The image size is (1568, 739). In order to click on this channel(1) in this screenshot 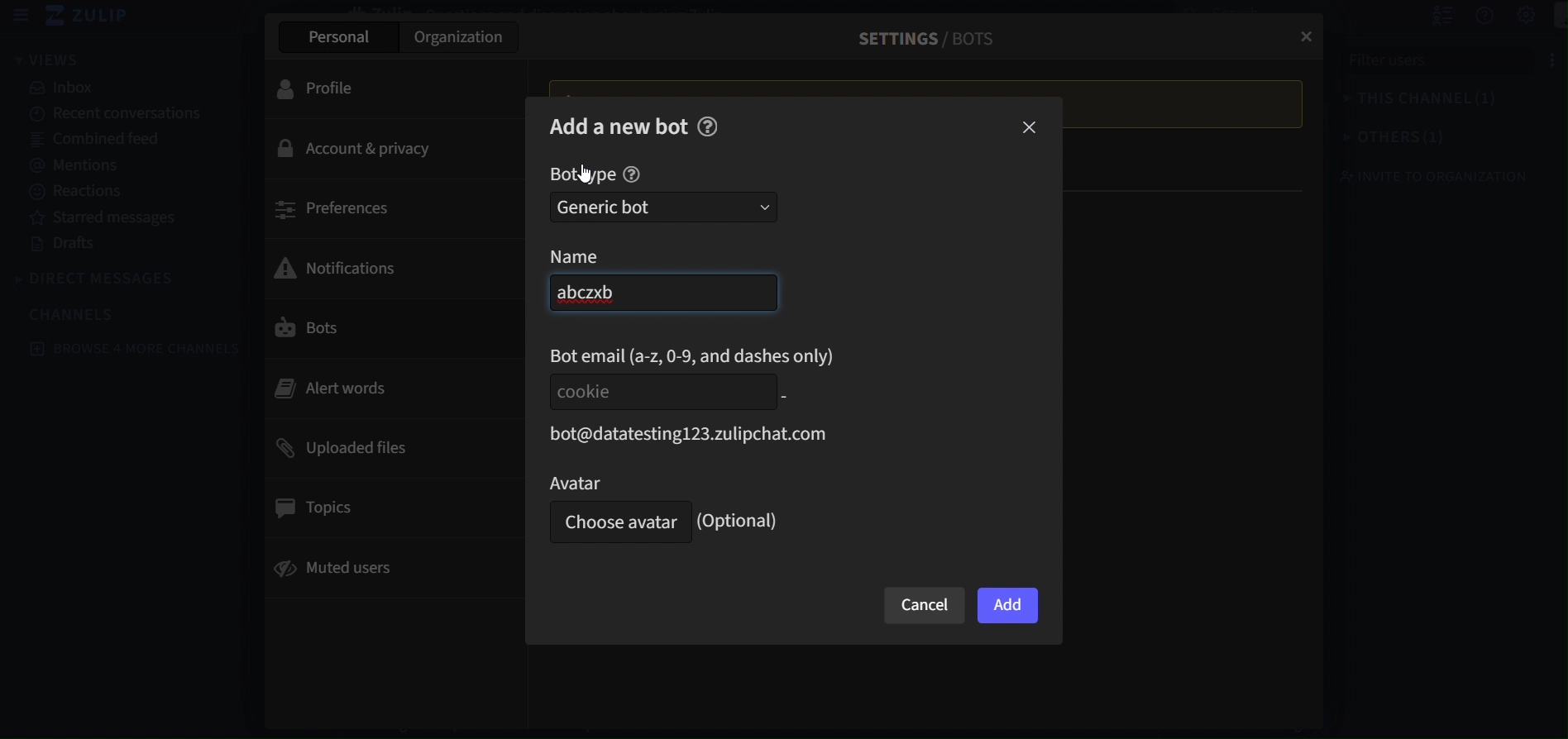, I will do `click(1403, 102)`.